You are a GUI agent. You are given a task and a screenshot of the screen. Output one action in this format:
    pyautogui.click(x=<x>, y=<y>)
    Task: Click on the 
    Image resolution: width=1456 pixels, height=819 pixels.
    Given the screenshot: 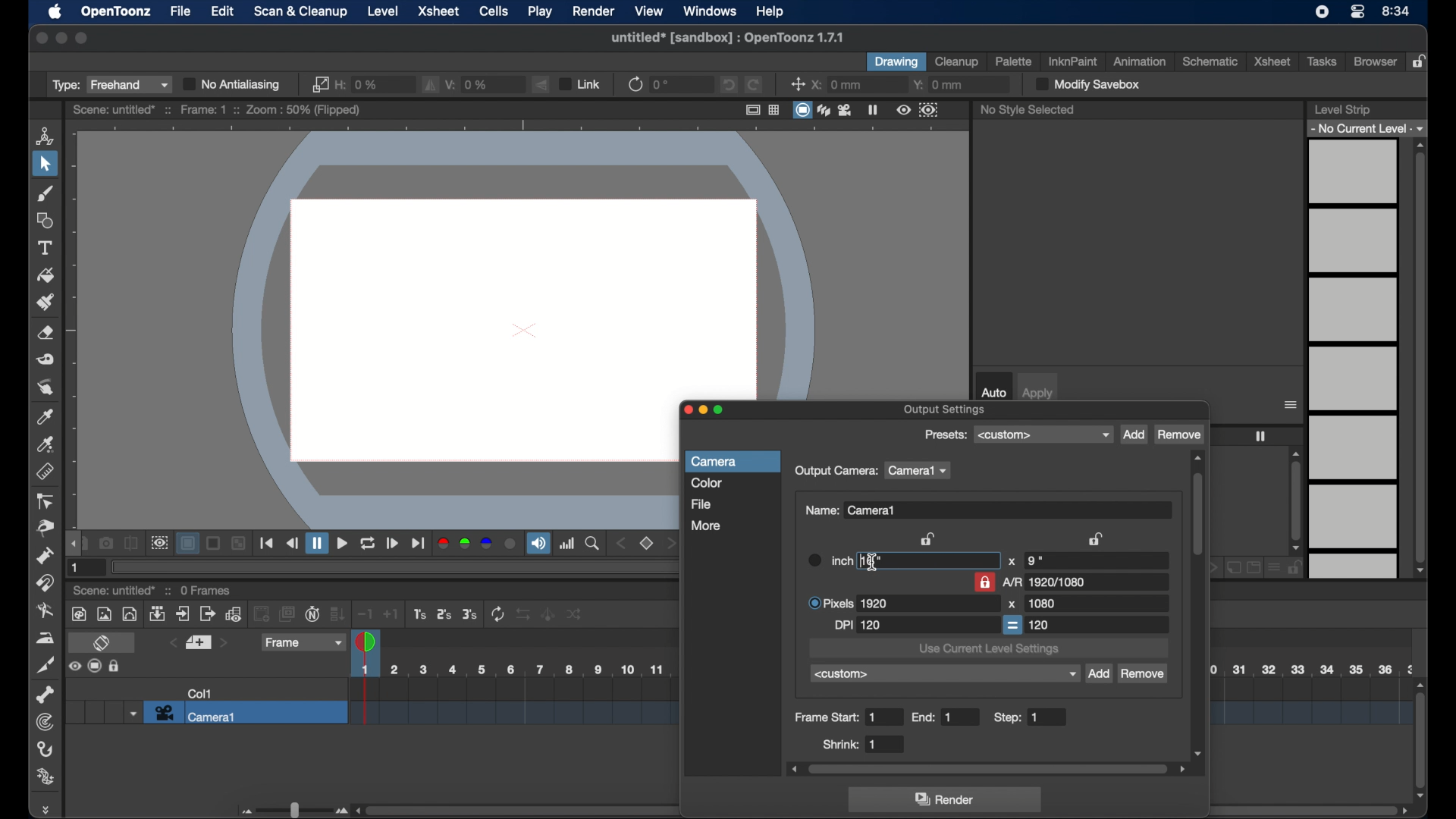 What is the action you would take?
    pyautogui.click(x=1235, y=569)
    